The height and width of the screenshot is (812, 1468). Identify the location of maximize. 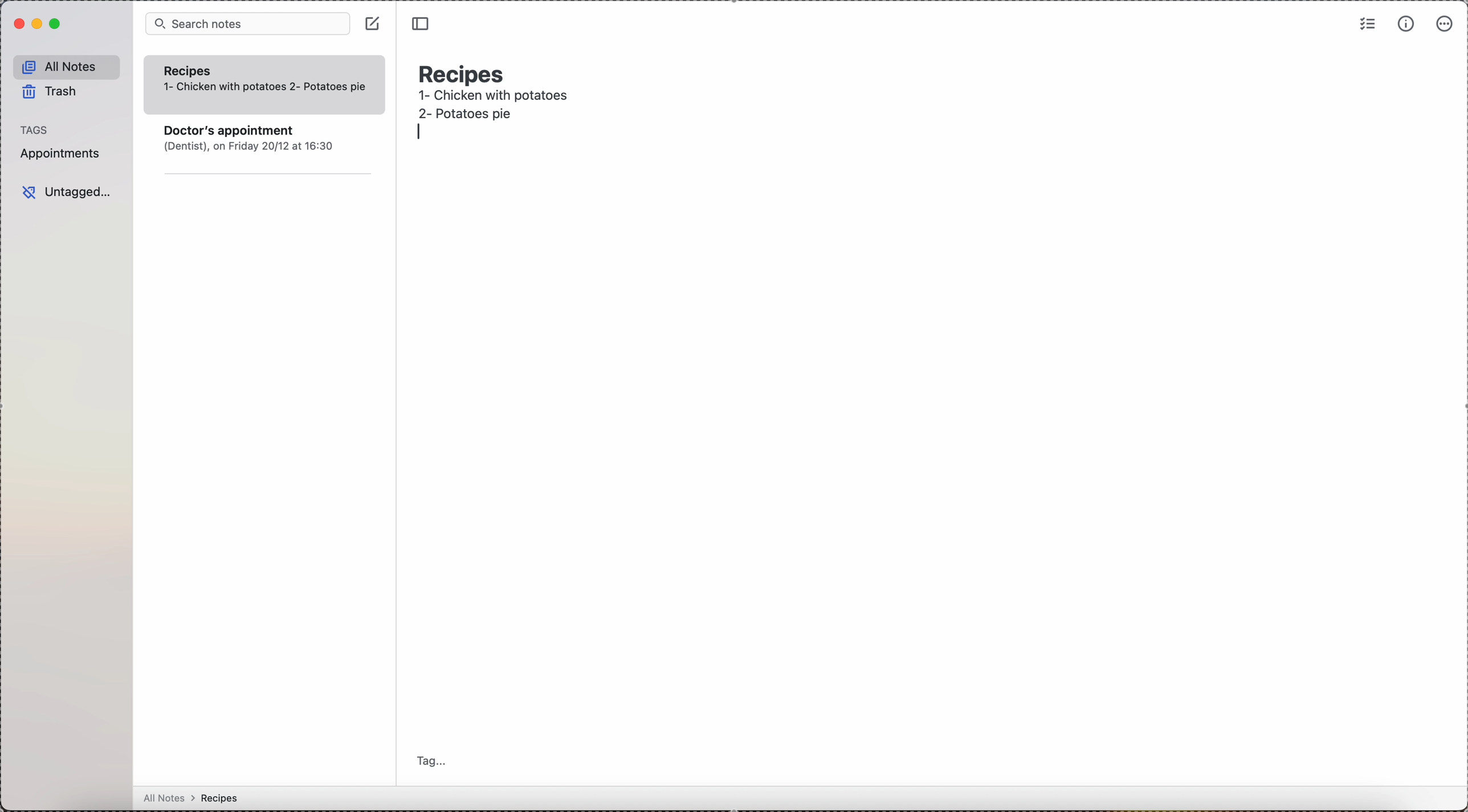
(59, 25).